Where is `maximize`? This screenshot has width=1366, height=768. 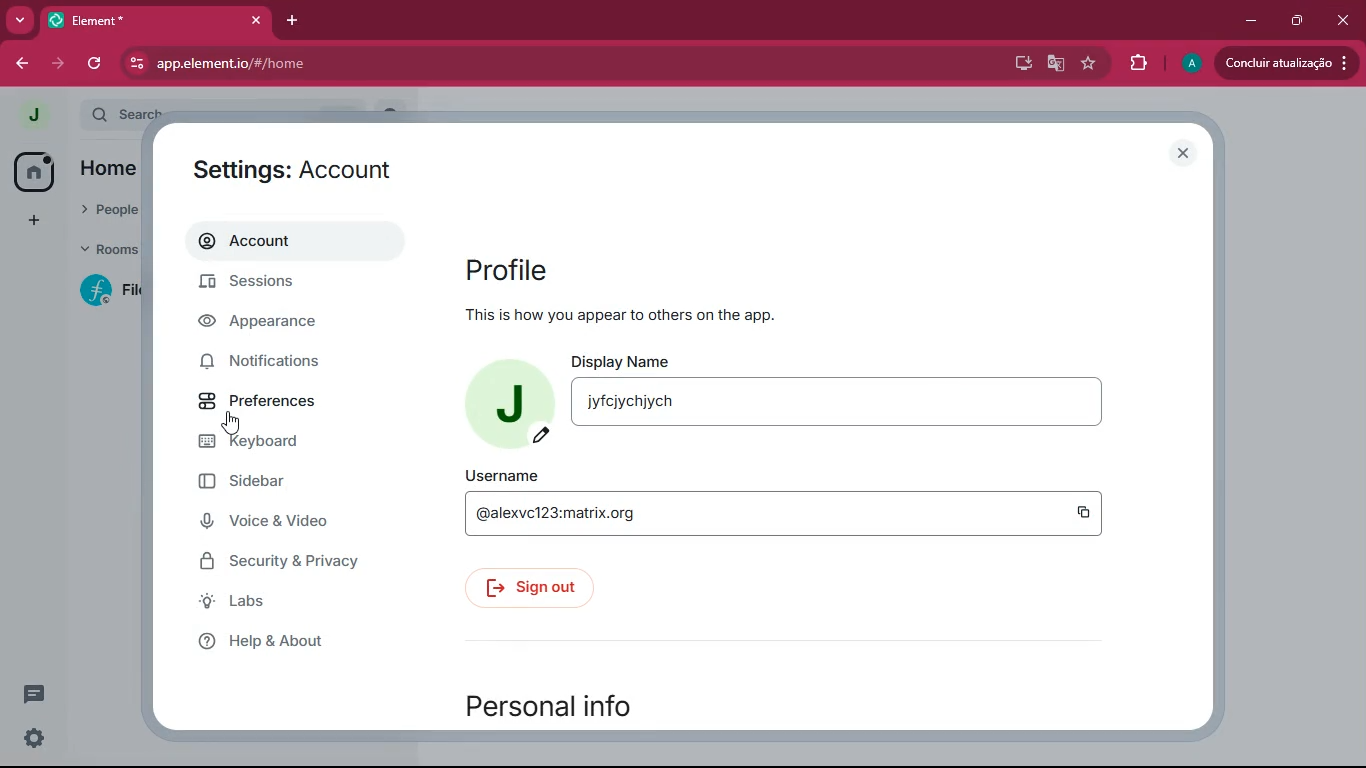
maximize is located at coordinates (1295, 20).